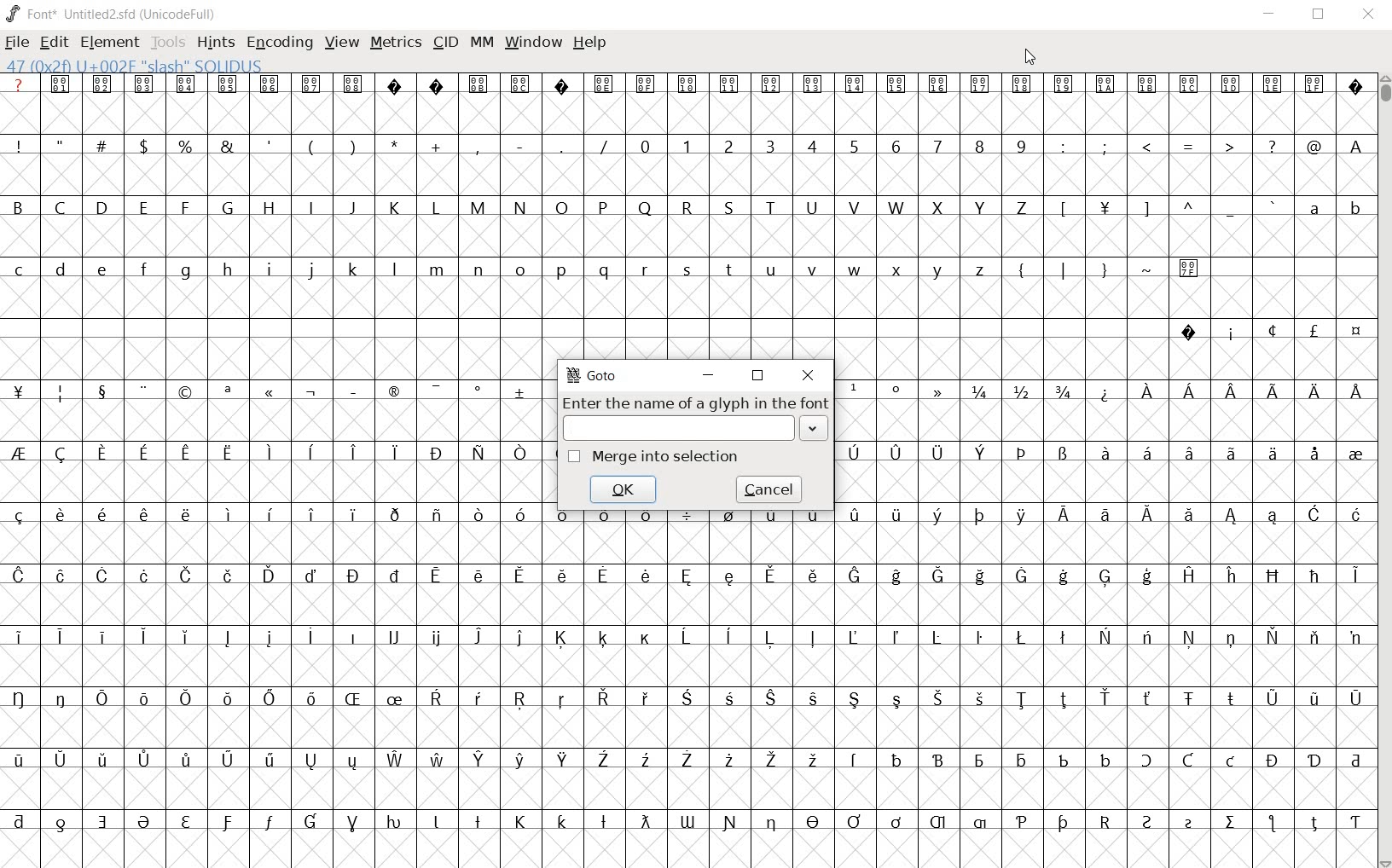 The width and height of the screenshot is (1392, 868). I want to click on HINTS, so click(216, 43).